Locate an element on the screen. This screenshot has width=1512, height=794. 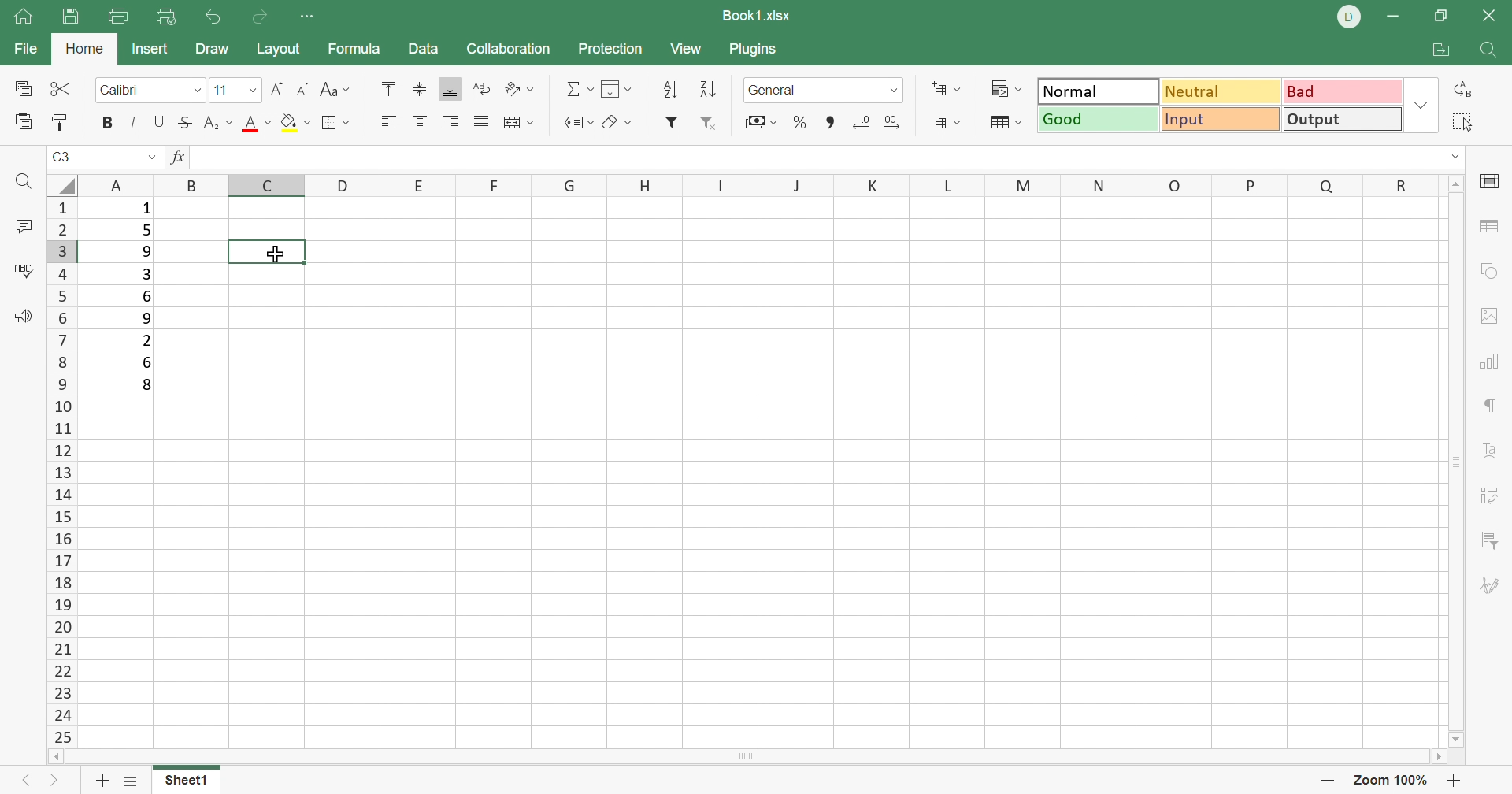
C3 is located at coordinates (63, 157).